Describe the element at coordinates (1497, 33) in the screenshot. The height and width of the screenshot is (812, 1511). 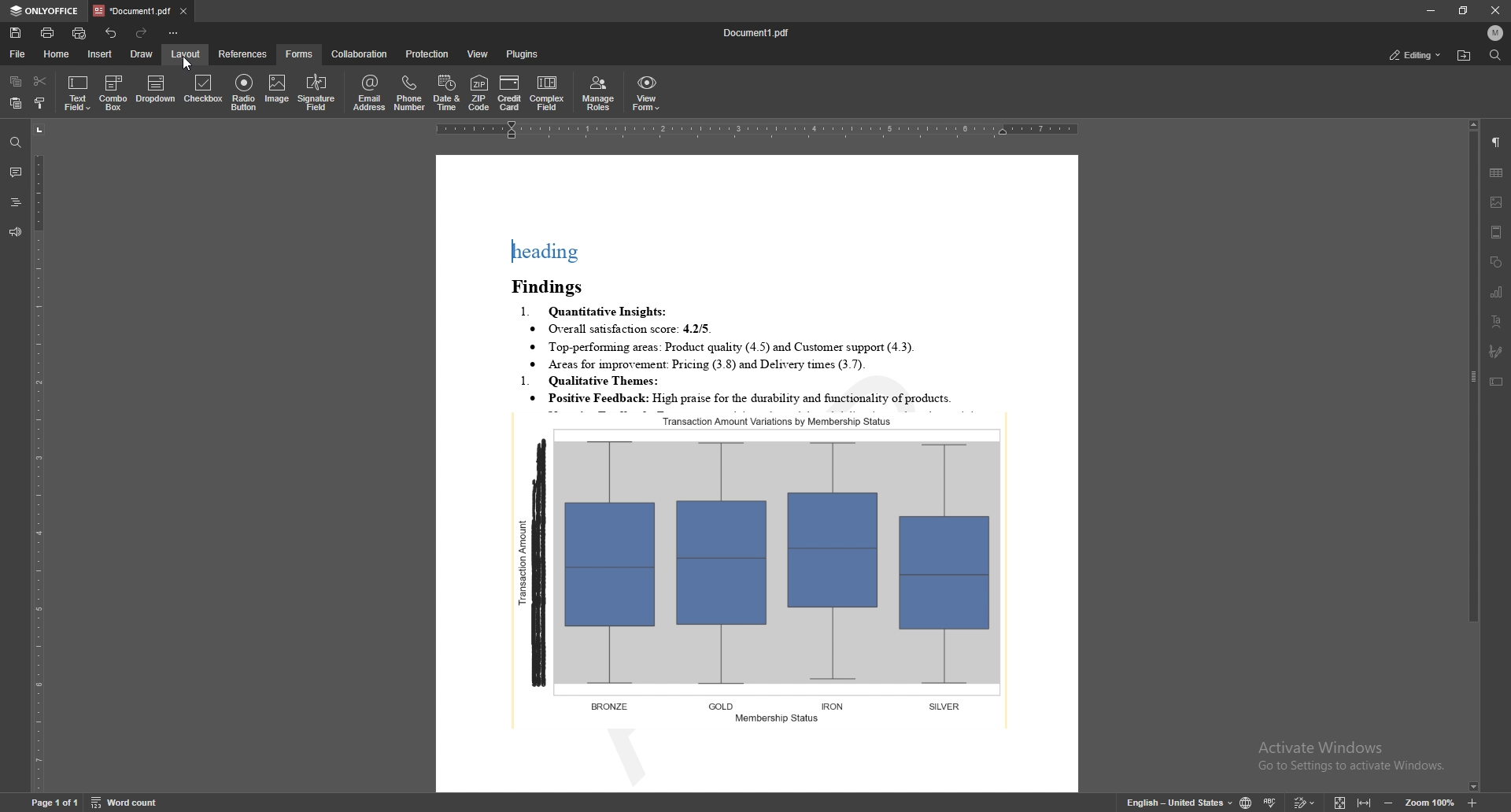
I see `profile` at that location.